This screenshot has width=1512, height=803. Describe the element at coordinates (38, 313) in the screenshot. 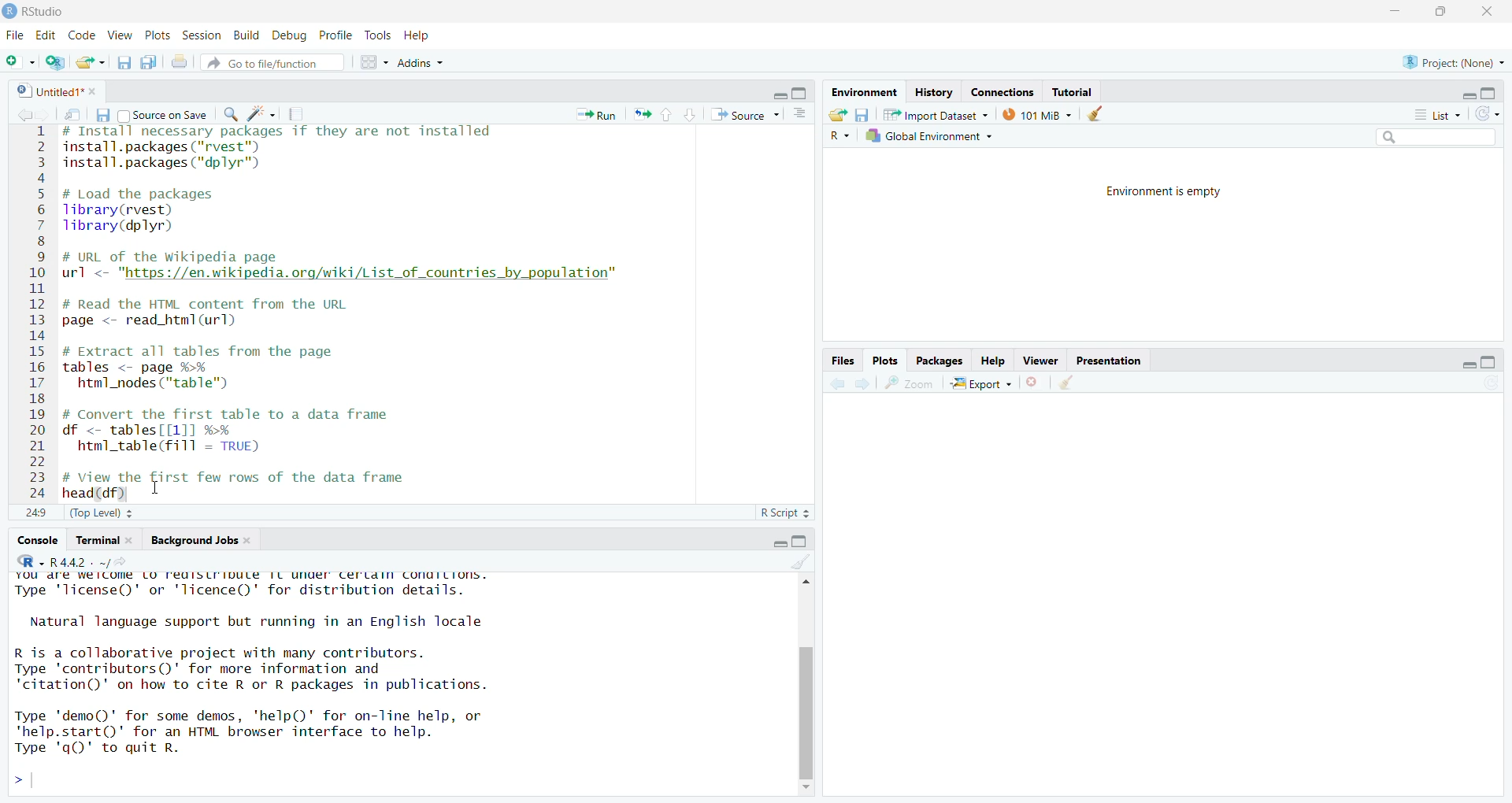

I see `line numbering` at that location.